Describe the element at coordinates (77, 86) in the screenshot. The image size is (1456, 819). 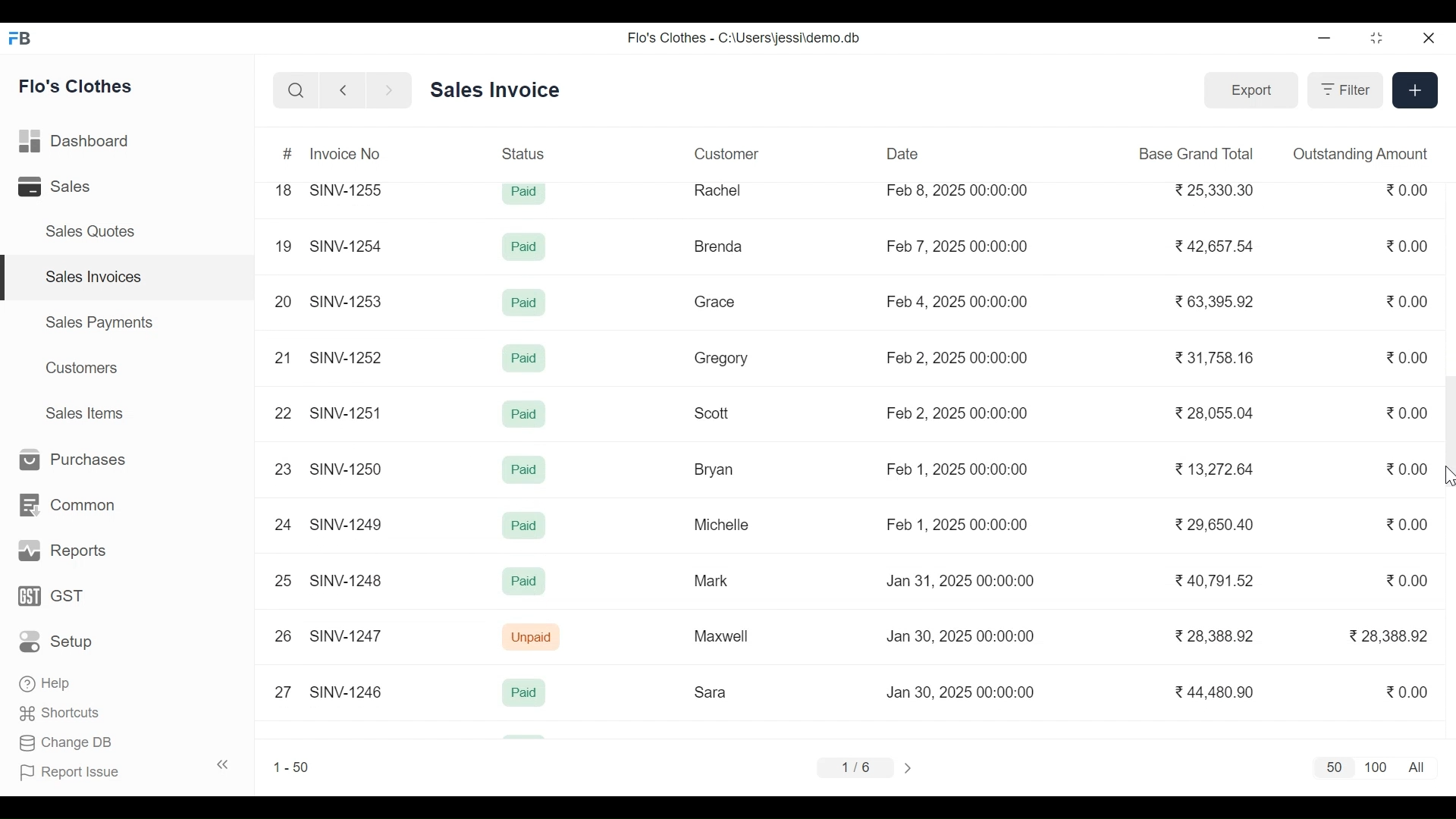
I see `Flo's Clothes` at that location.